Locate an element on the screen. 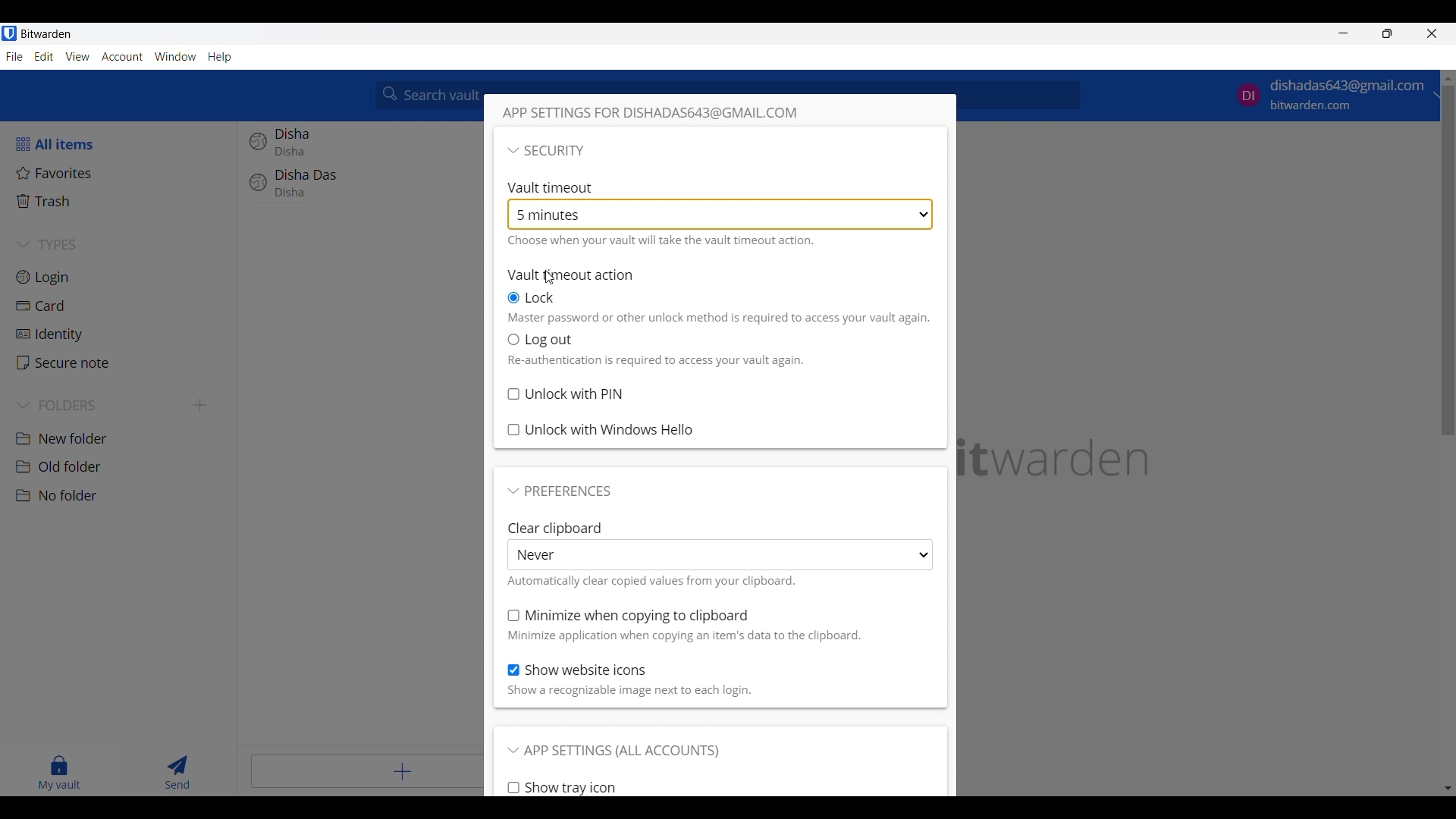 Image resolution: width=1456 pixels, height=819 pixels. New folder is located at coordinates (121, 439).